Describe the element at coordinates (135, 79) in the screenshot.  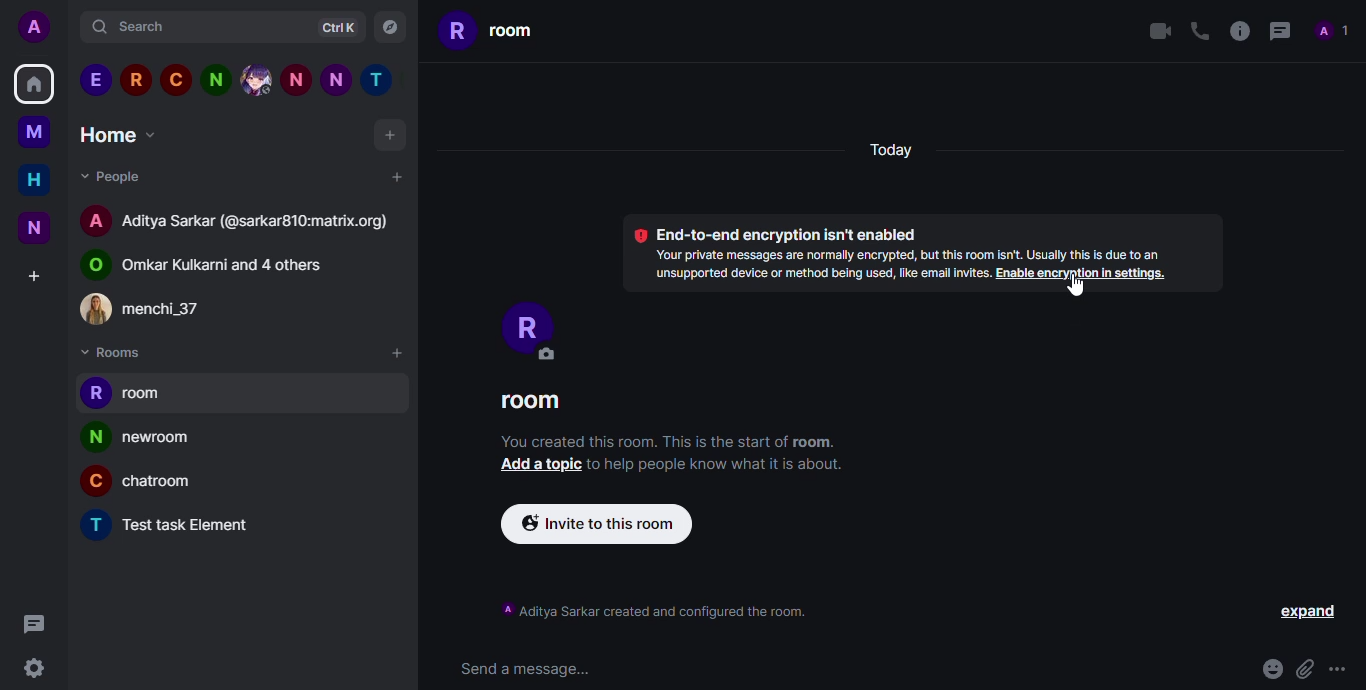
I see `people 2` at that location.